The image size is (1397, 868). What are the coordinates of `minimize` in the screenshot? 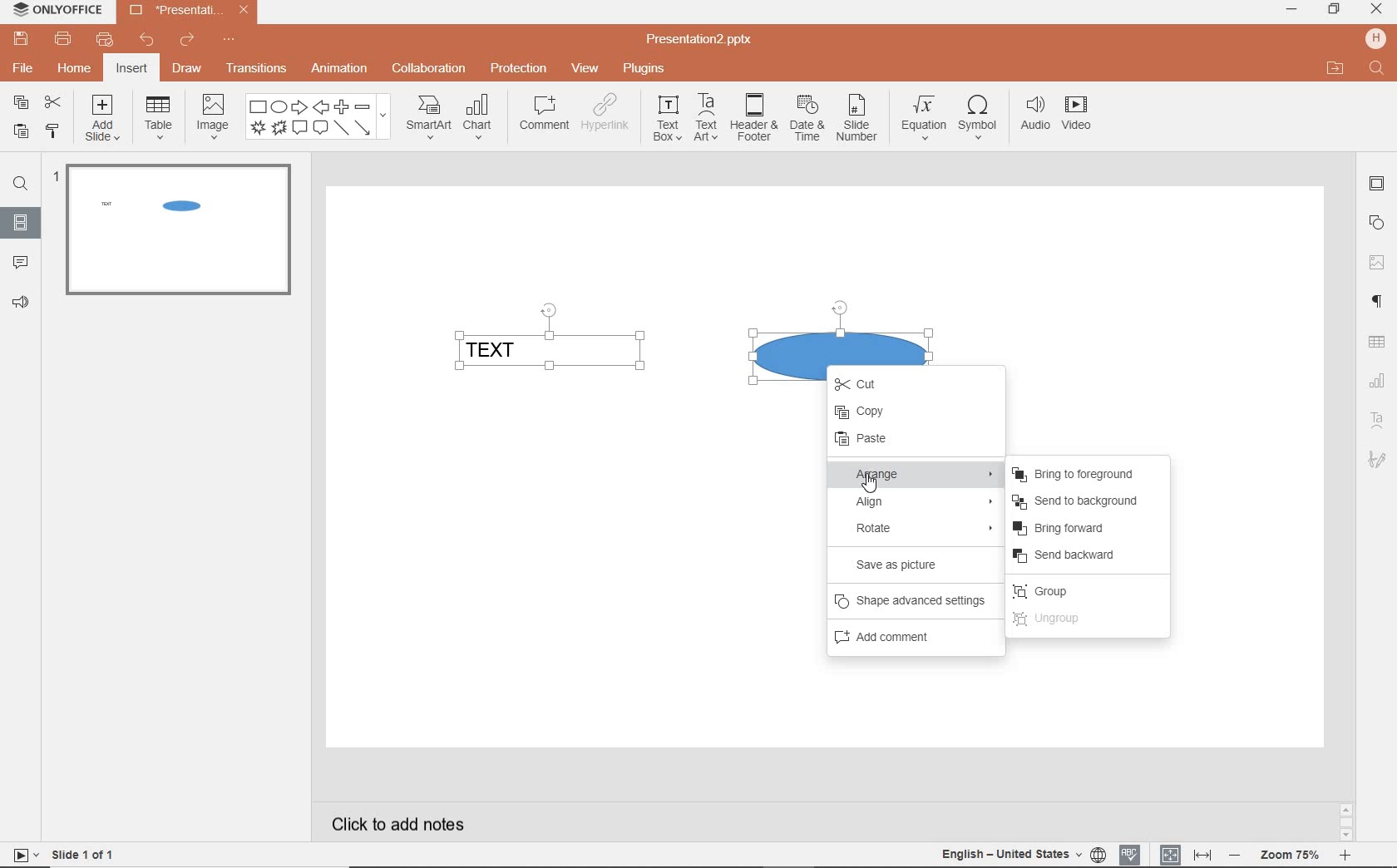 It's located at (1291, 10).